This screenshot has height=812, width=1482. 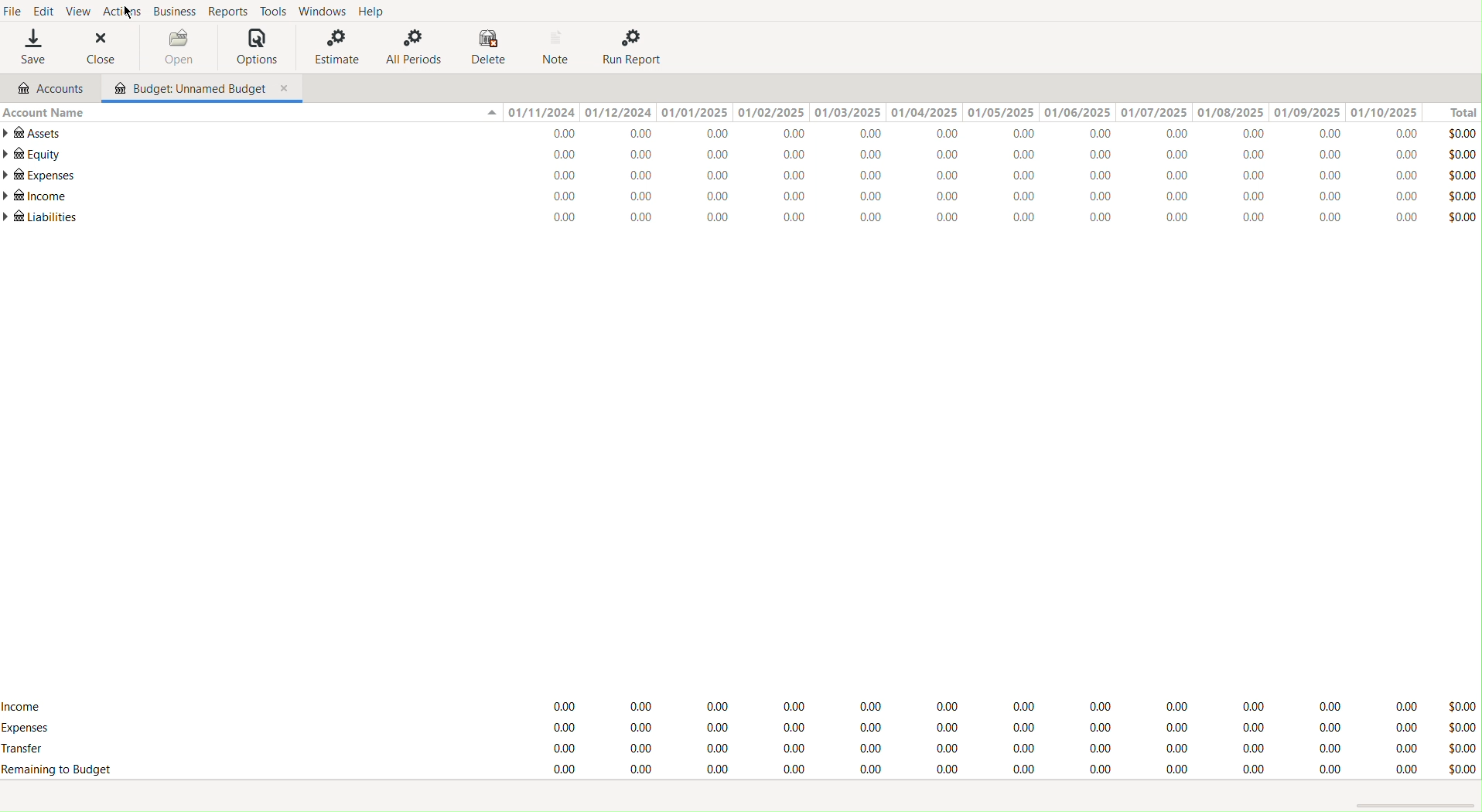 What do you see at coordinates (13, 11) in the screenshot?
I see `File` at bounding box center [13, 11].